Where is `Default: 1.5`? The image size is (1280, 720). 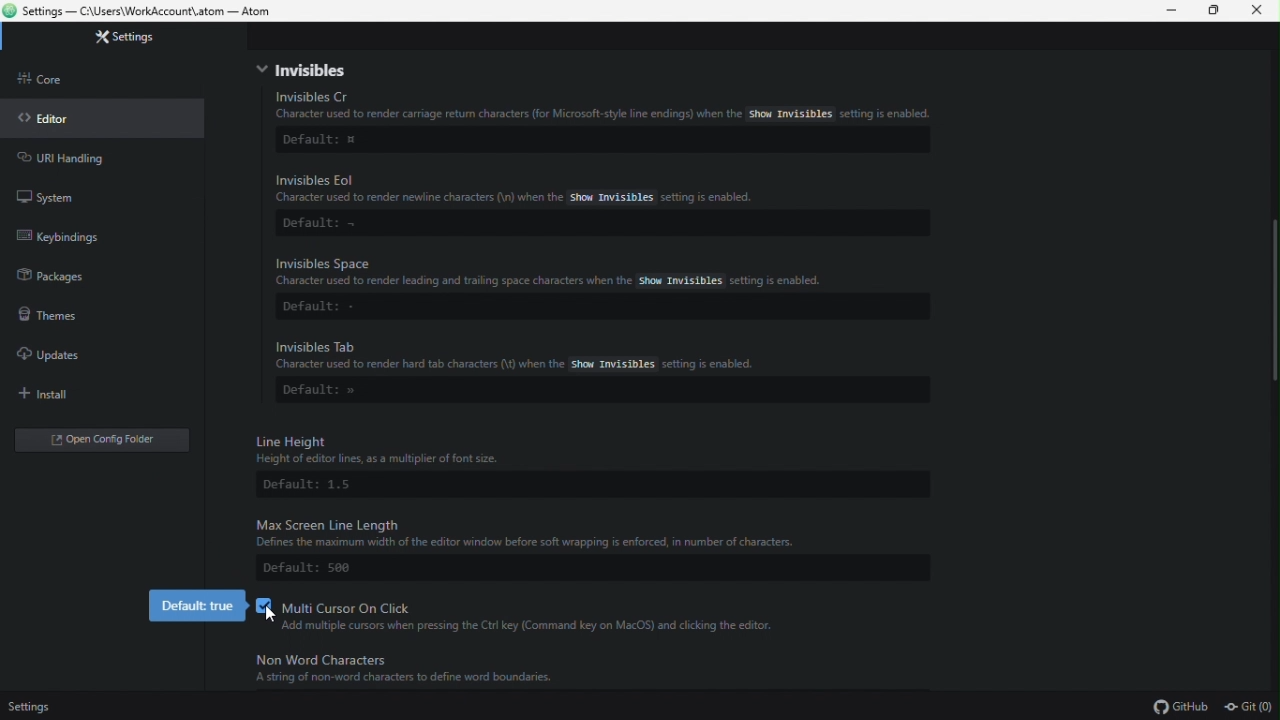 Default: 1.5 is located at coordinates (319, 486).